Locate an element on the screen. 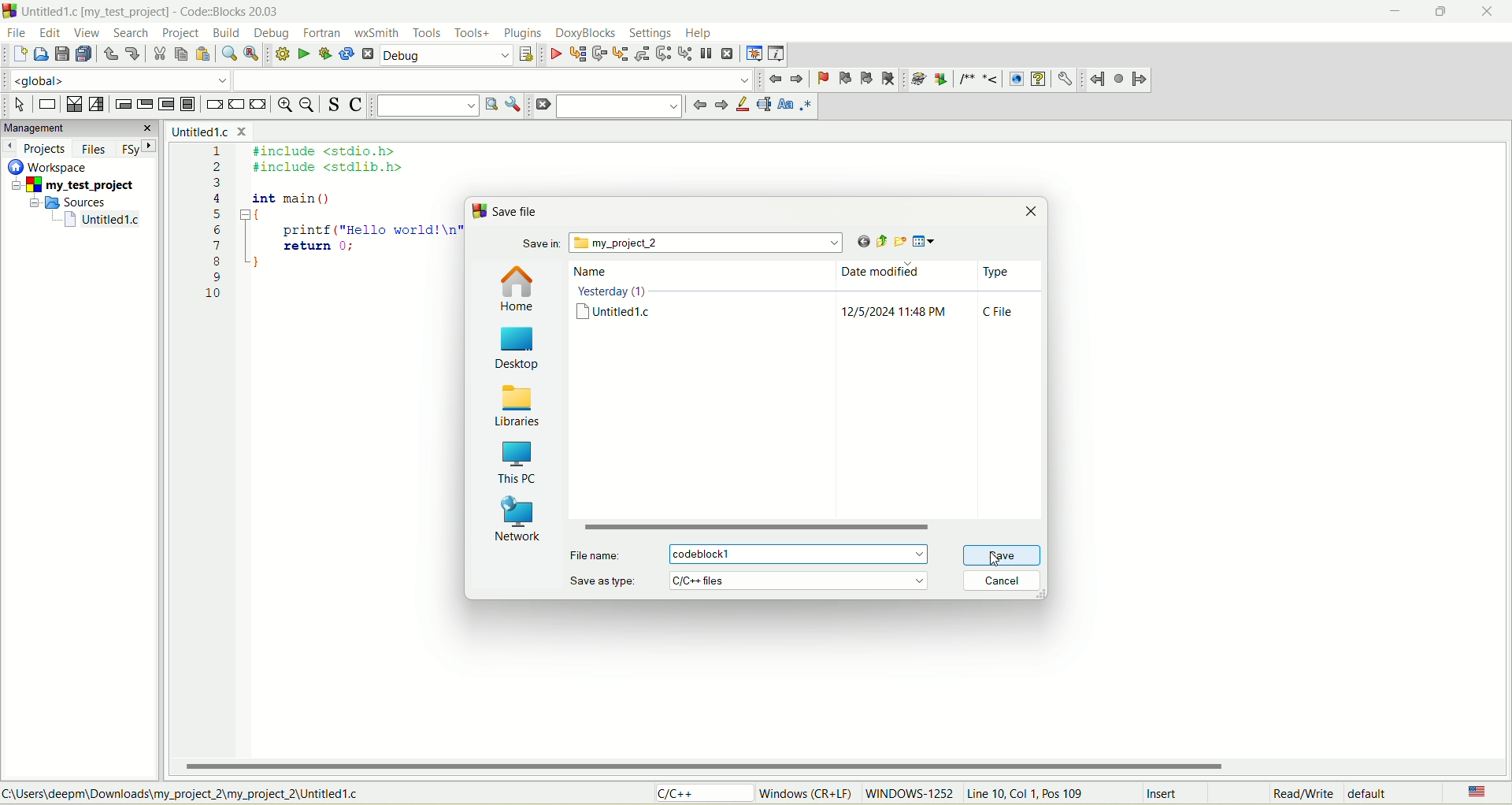 Image resolution: width=1512 pixels, height=805 pixels. view is located at coordinates (88, 33).